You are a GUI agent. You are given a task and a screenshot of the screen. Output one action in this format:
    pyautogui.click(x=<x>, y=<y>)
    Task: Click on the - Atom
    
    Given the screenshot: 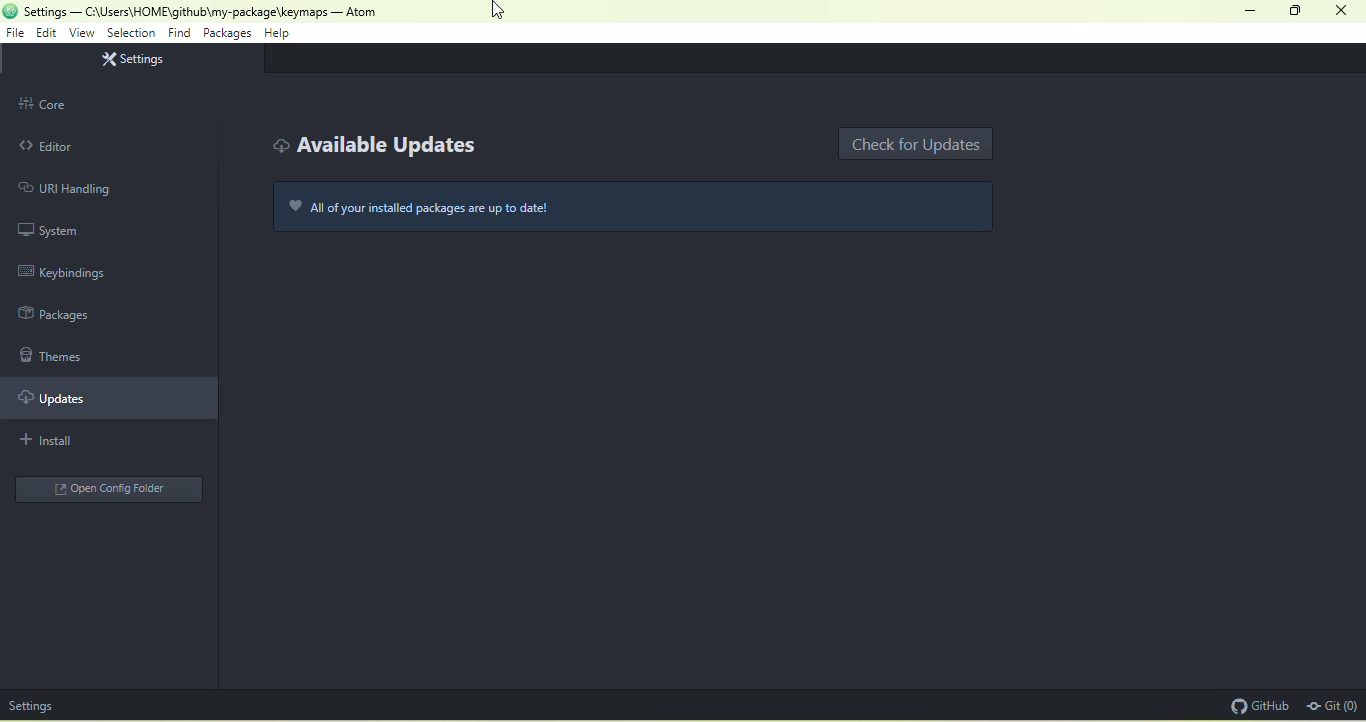 What is the action you would take?
    pyautogui.click(x=356, y=12)
    